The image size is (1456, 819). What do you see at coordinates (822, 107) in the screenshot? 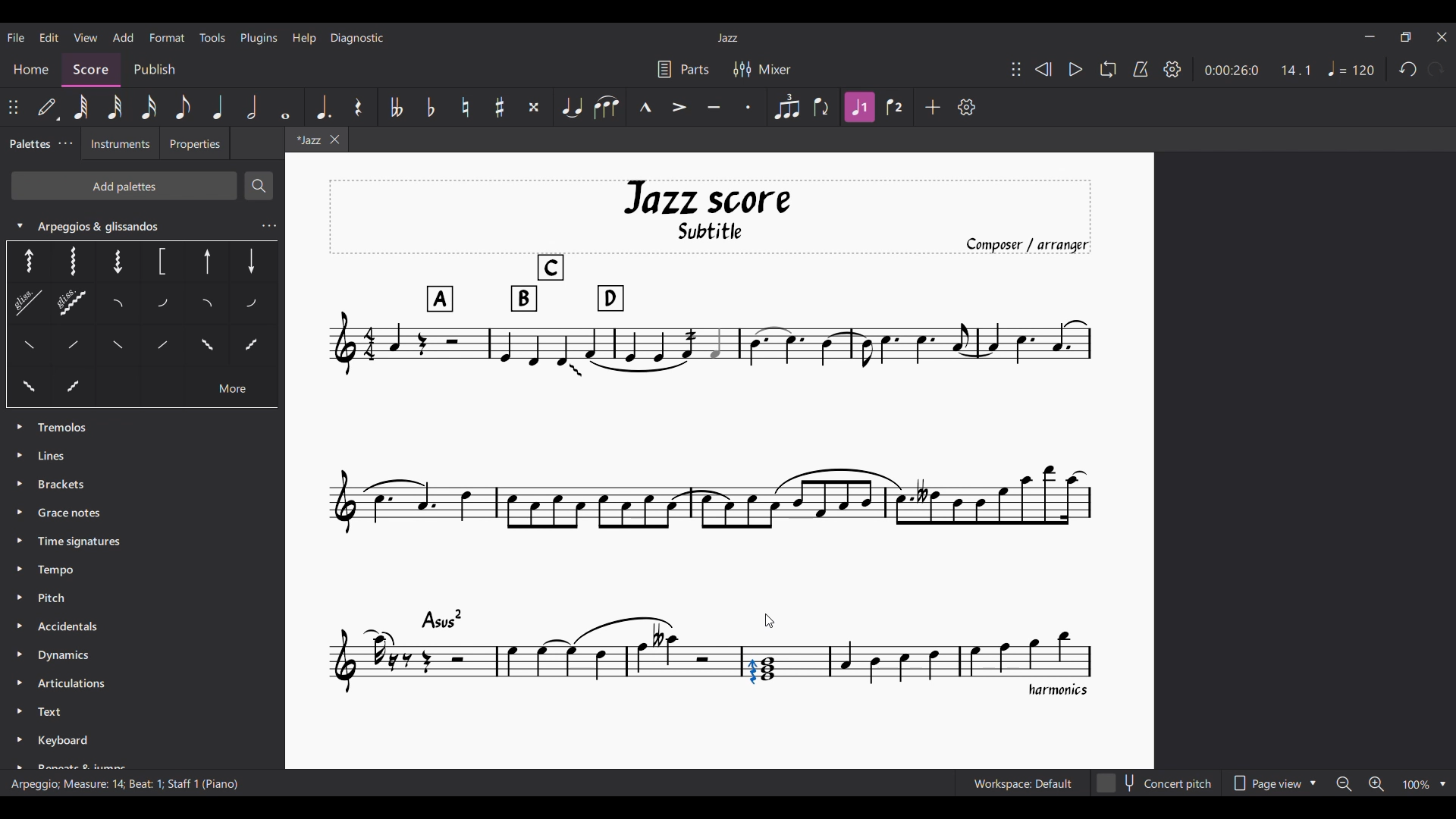
I see `Flip direction` at bounding box center [822, 107].